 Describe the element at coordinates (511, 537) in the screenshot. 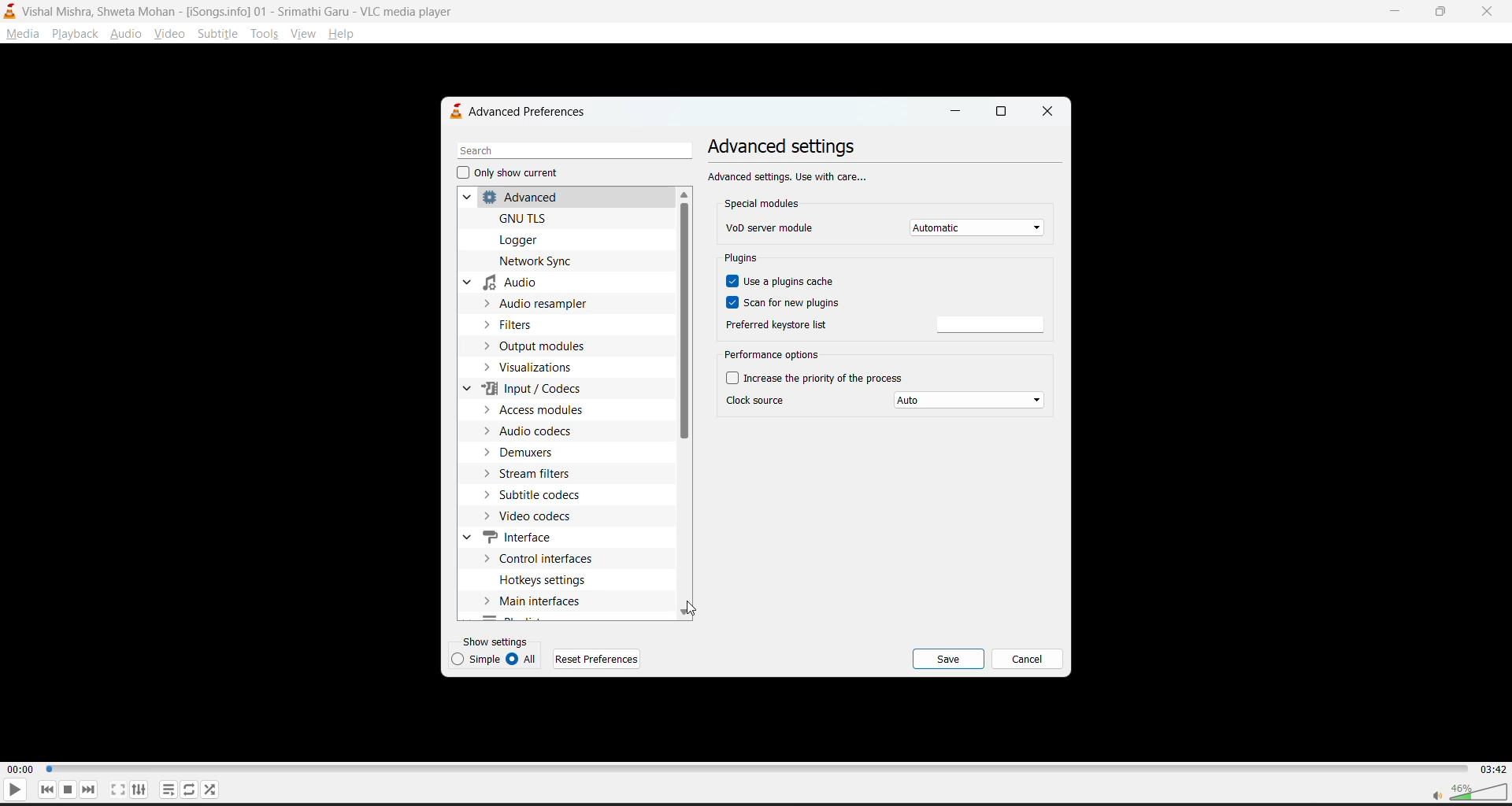

I see `interface` at that location.